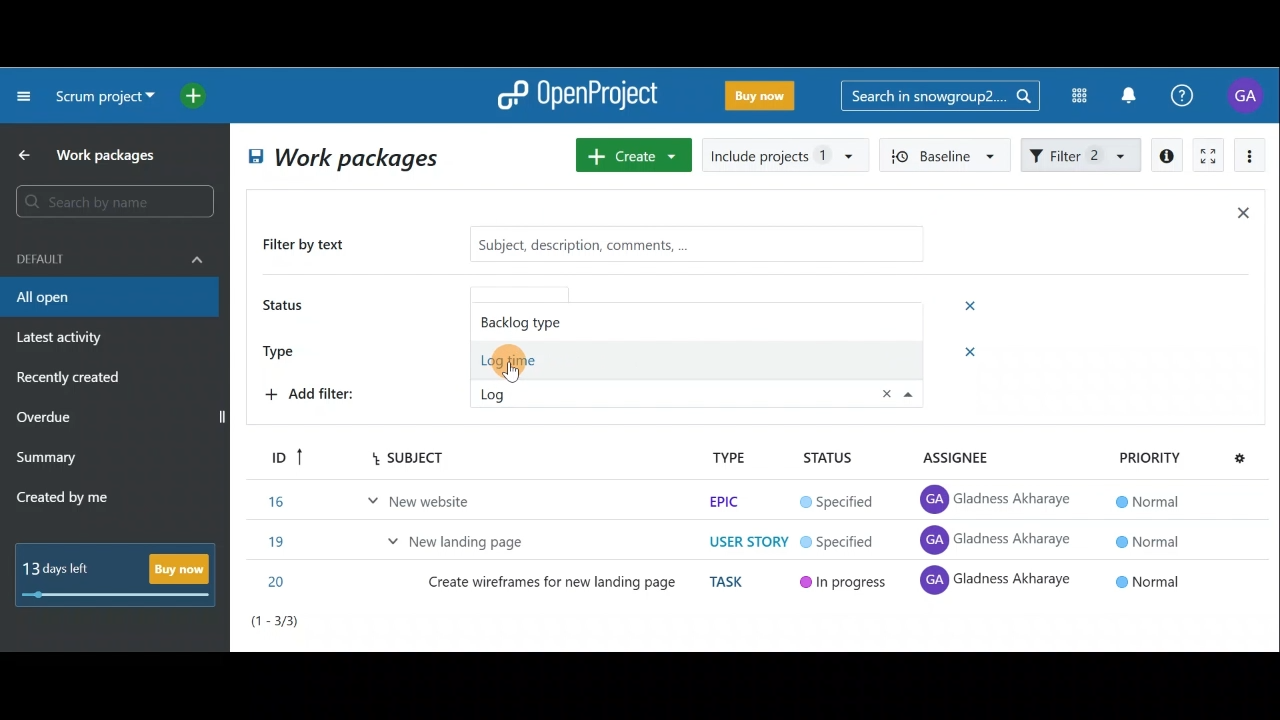 This screenshot has height=720, width=1280. Describe the element at coordinates (360, 626) in the screenshot. I see `Page number` at that location.